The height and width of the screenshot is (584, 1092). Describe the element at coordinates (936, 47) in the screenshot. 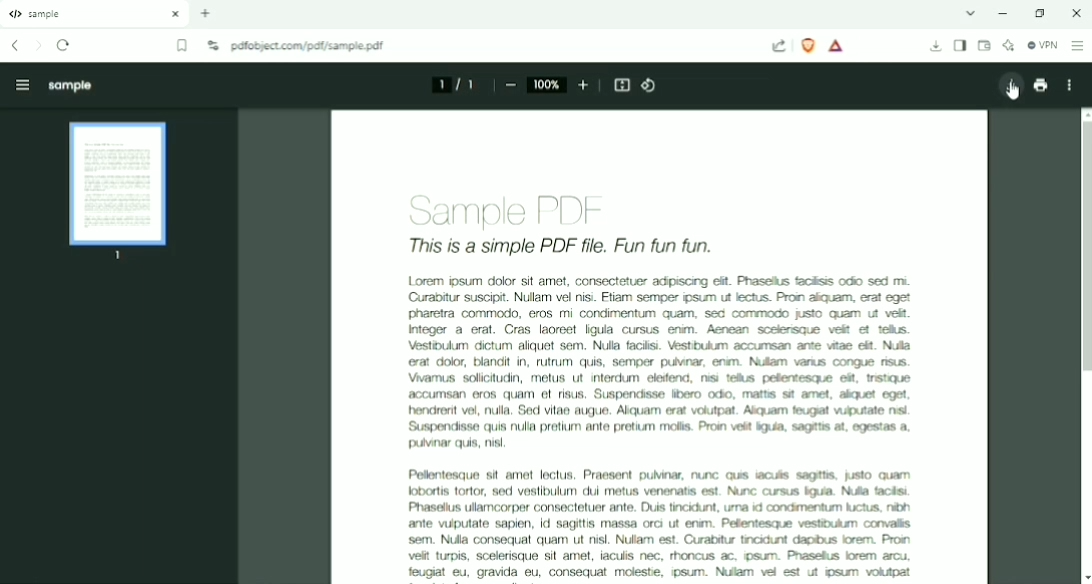

I see `Downloads` at that location.